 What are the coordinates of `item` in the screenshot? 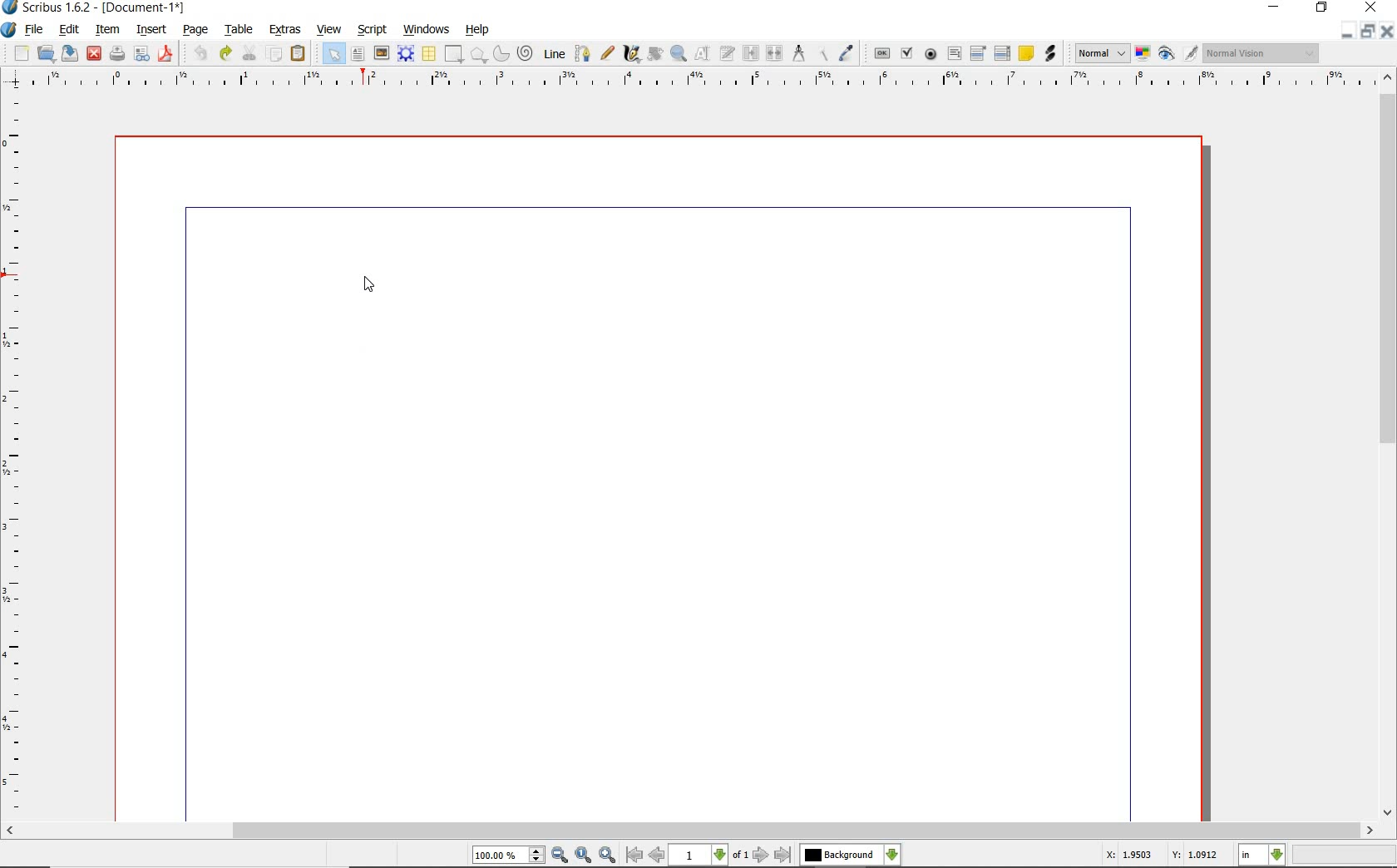 It's located at (106, 30).